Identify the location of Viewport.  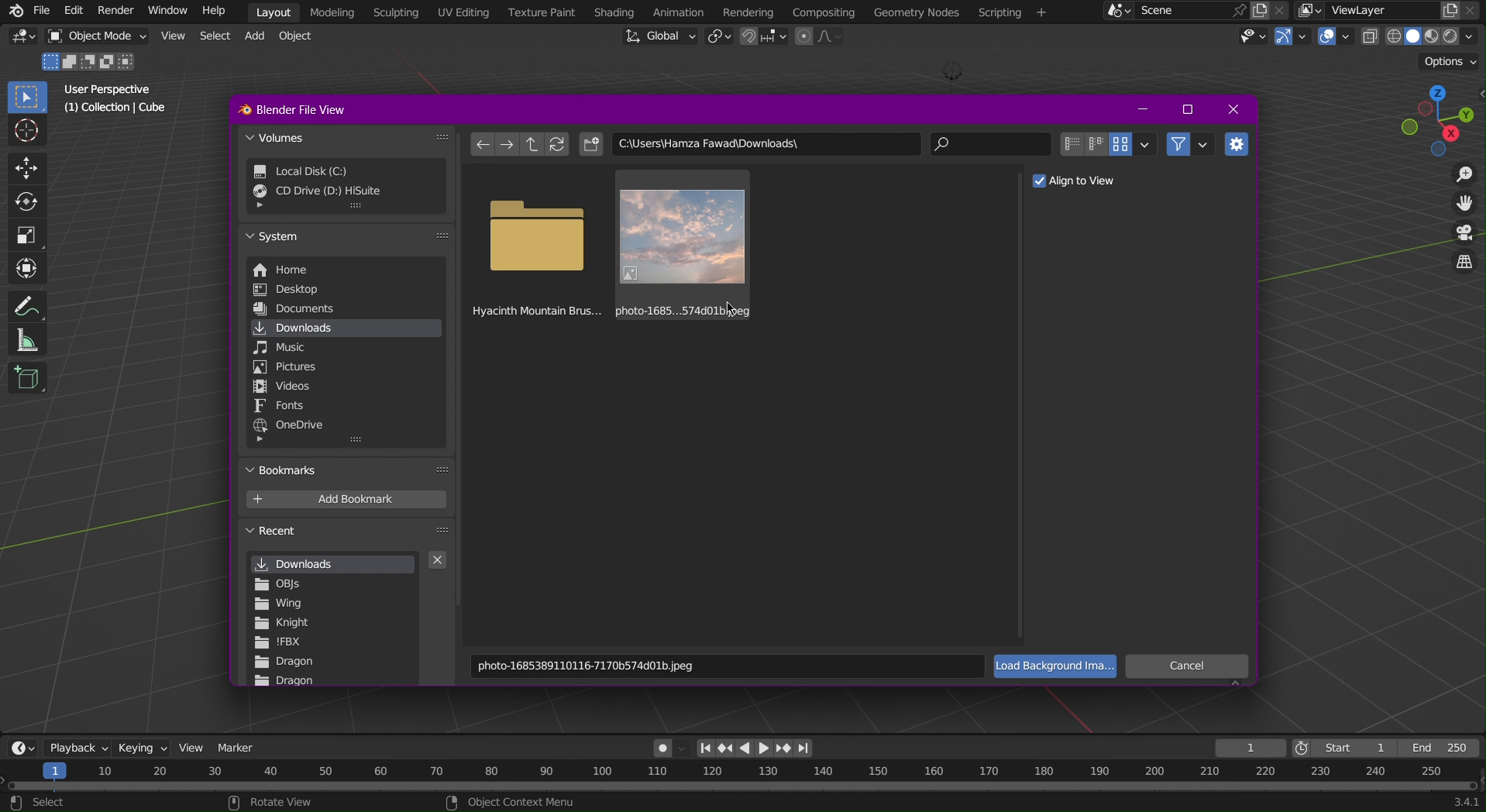
(1439, 122).